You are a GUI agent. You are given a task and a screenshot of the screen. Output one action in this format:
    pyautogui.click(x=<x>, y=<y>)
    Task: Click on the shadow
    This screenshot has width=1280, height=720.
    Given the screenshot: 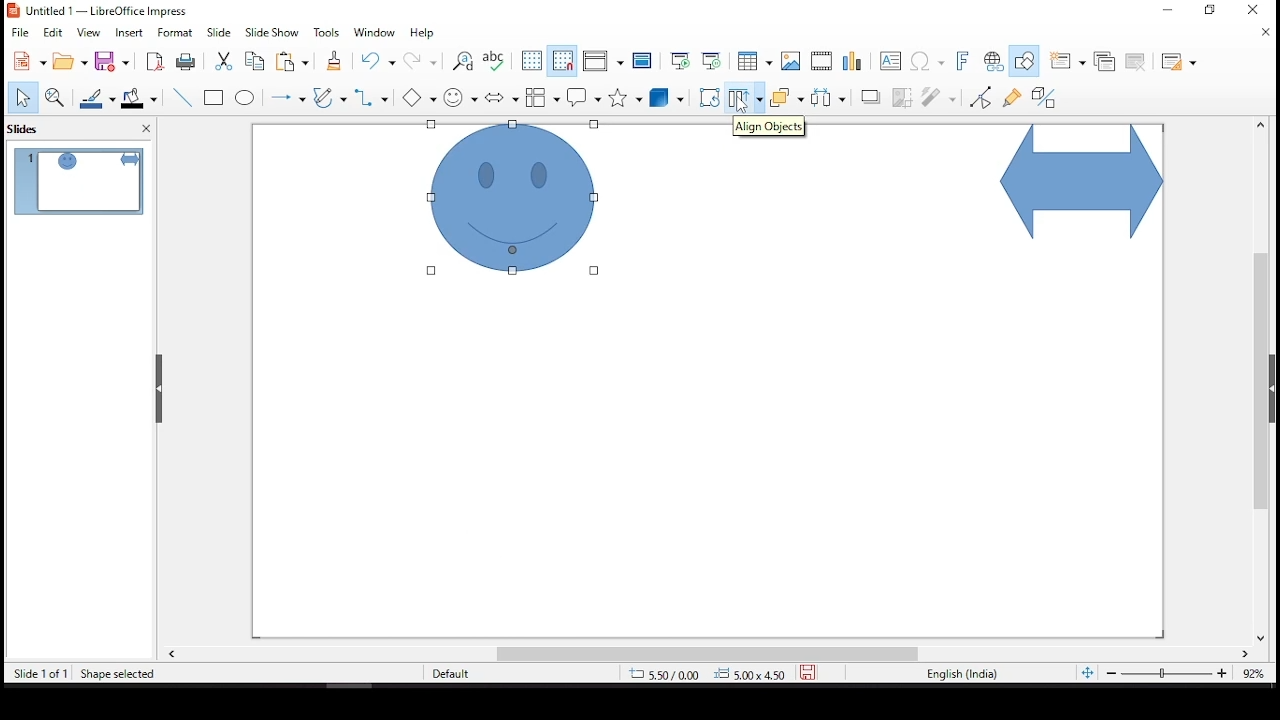 What is the action you would take?
    pyautogui.click(x=871, y=96)
    